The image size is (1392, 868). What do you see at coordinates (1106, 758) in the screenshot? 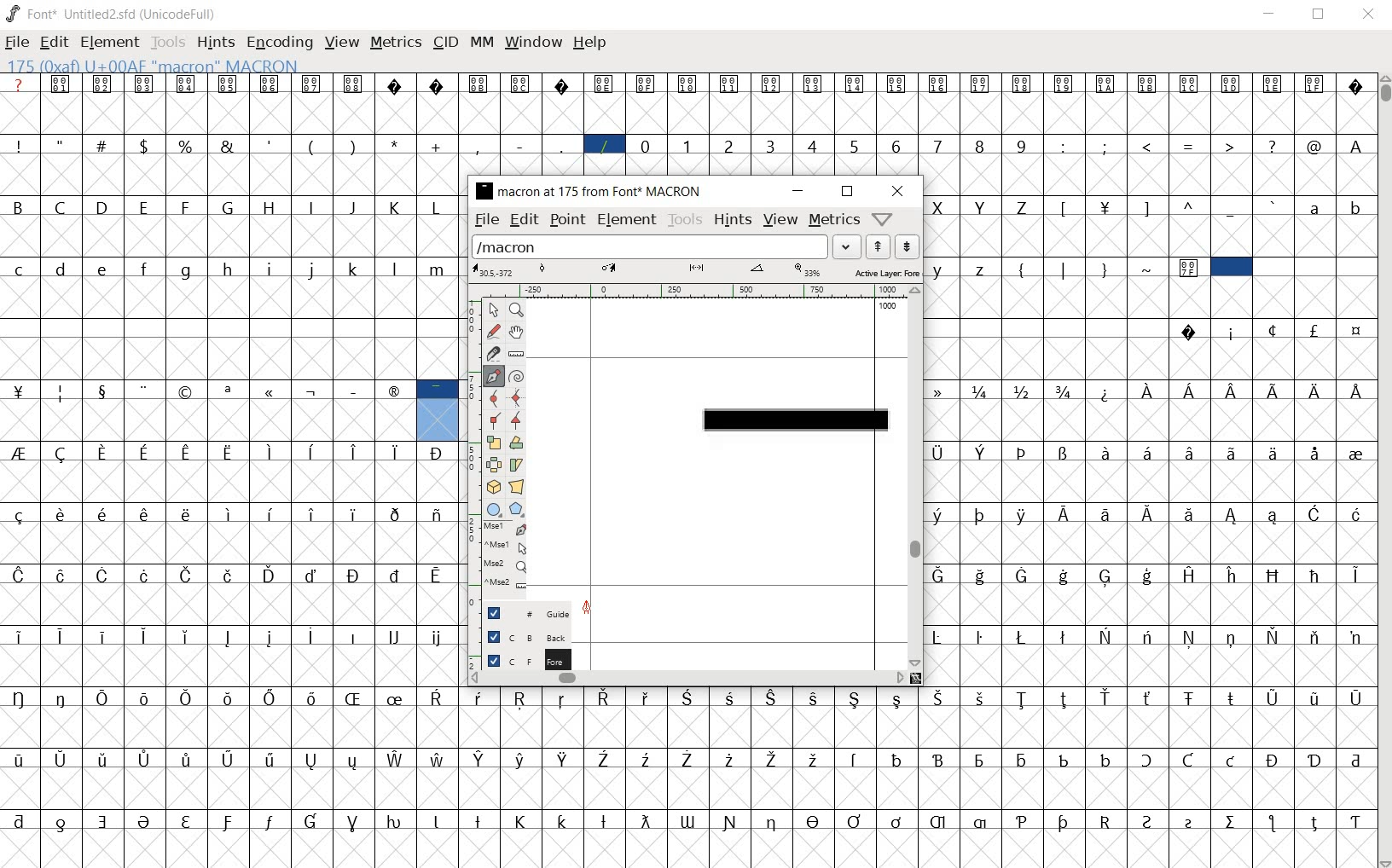
I see `Symbol` at bounding box center [1106, 758].